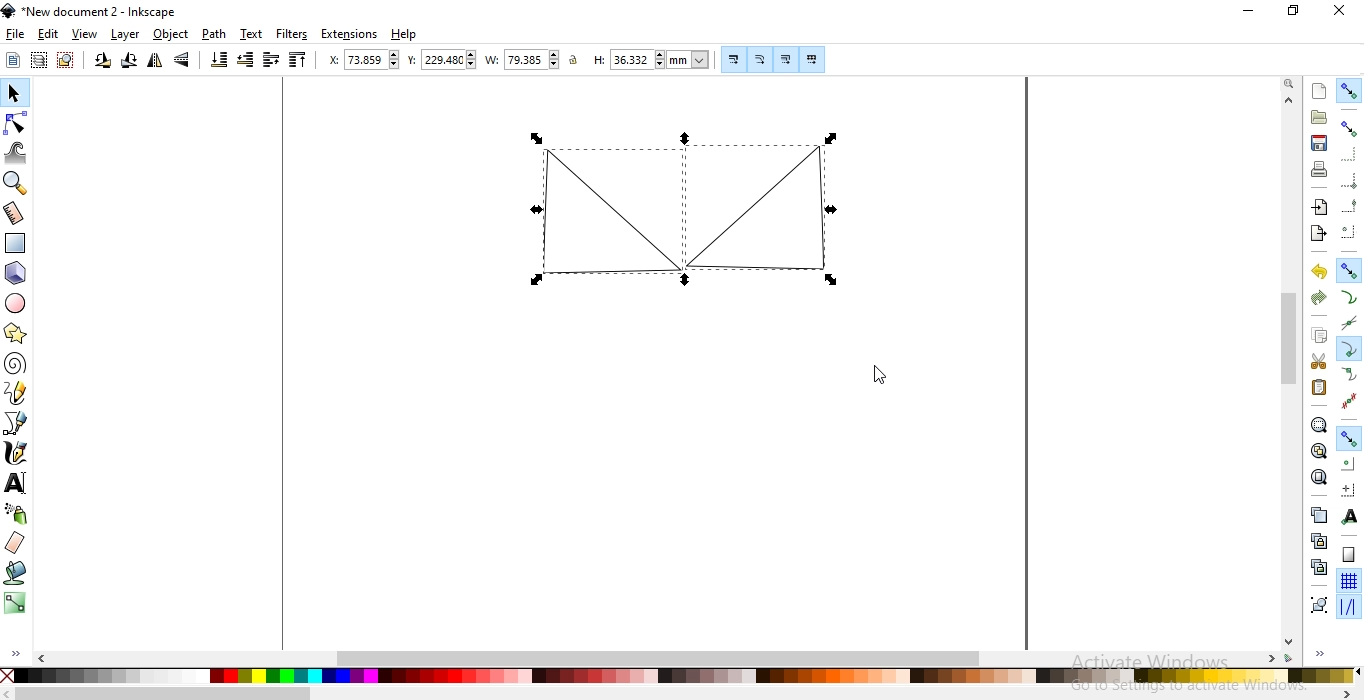  I want to click on group selected objects, so click(1321, 605).